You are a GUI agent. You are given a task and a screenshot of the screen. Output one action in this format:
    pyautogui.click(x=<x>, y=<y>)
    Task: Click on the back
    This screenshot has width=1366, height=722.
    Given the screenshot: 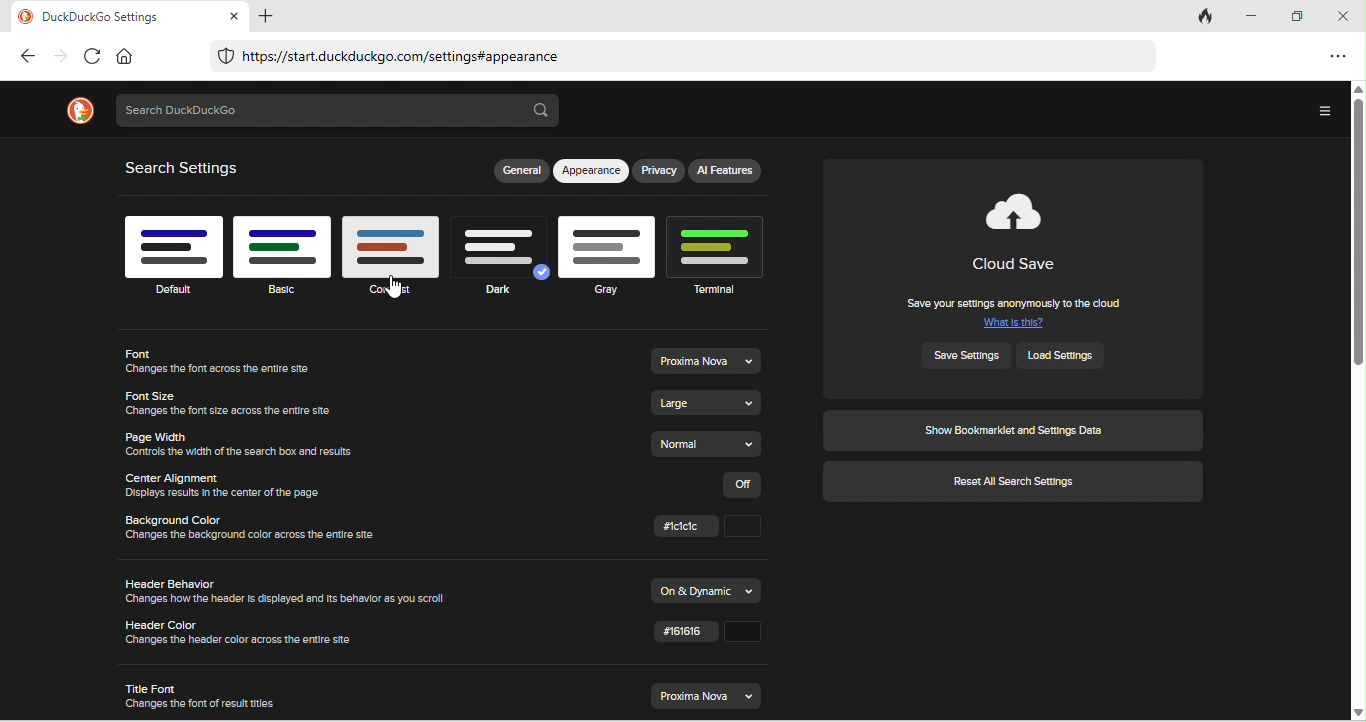 What is the action you would take?
    pyautogui.click(x=27, y=56)
    